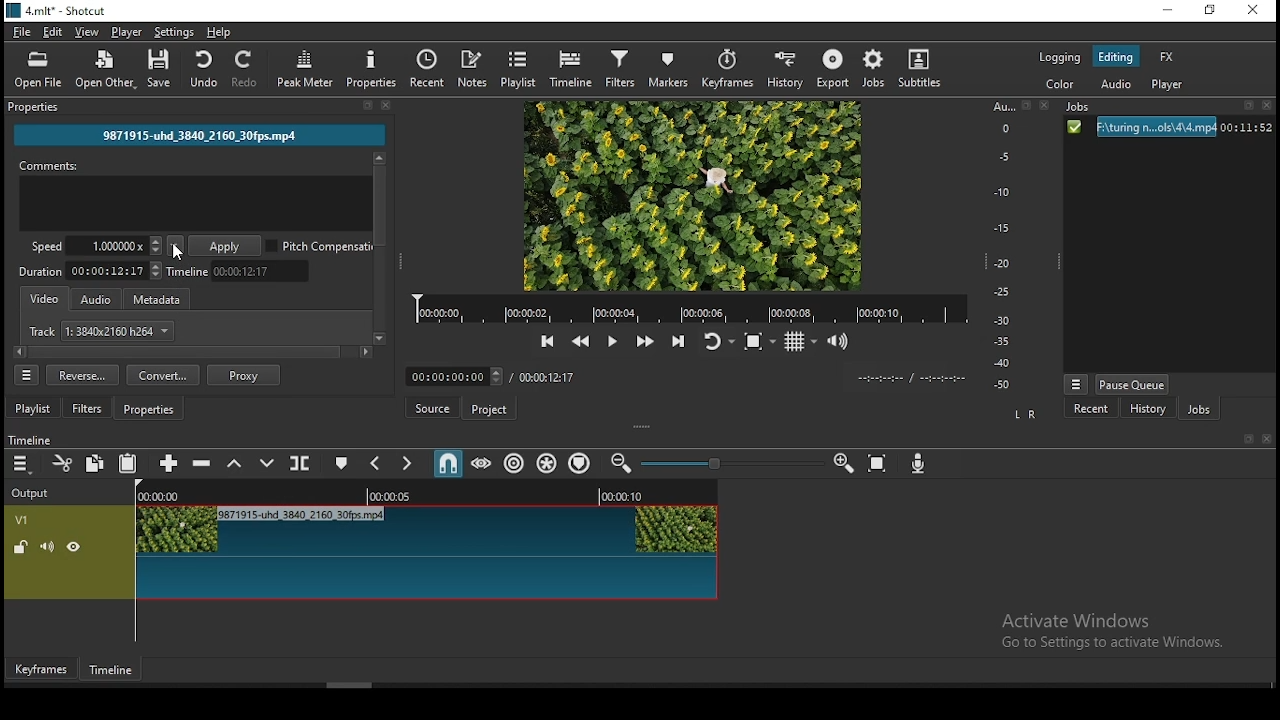  What do you see at coordinates (366, 106) in the screenshot?
I see `bookmark` at bounding box center [366, 106].